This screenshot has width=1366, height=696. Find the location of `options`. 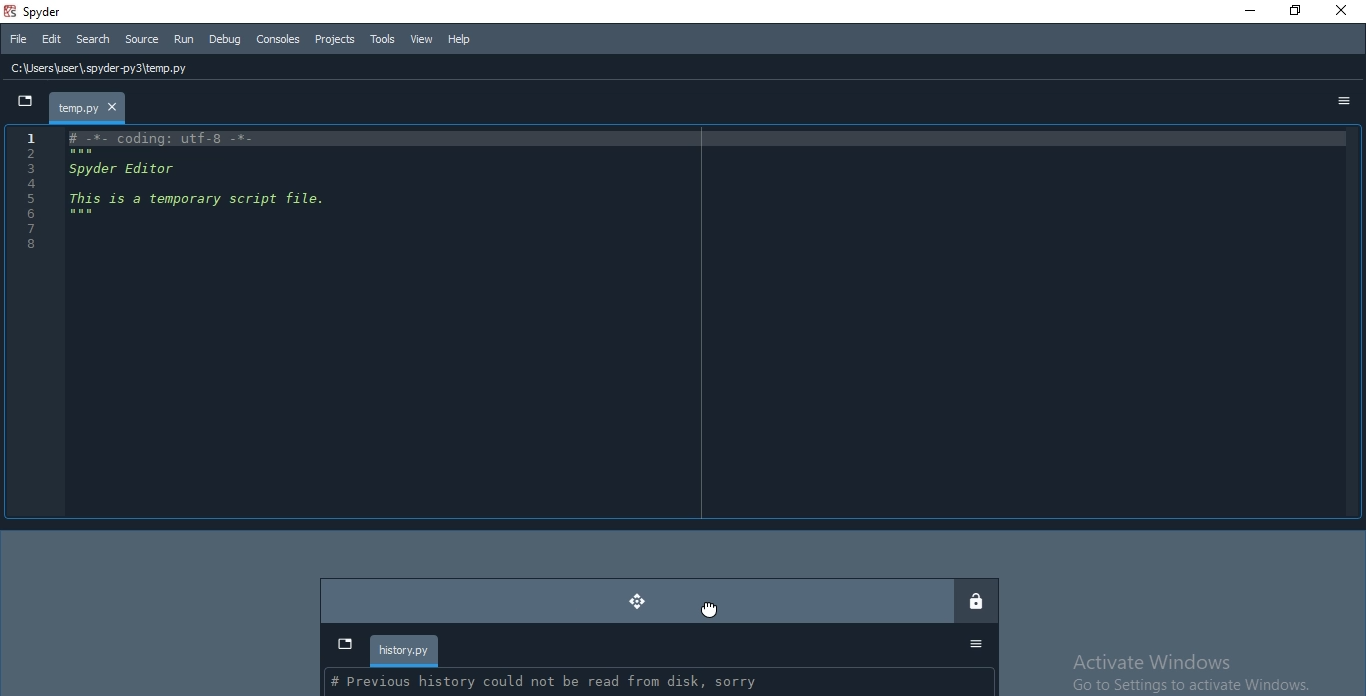

options is located at coordinates (1332, 101).